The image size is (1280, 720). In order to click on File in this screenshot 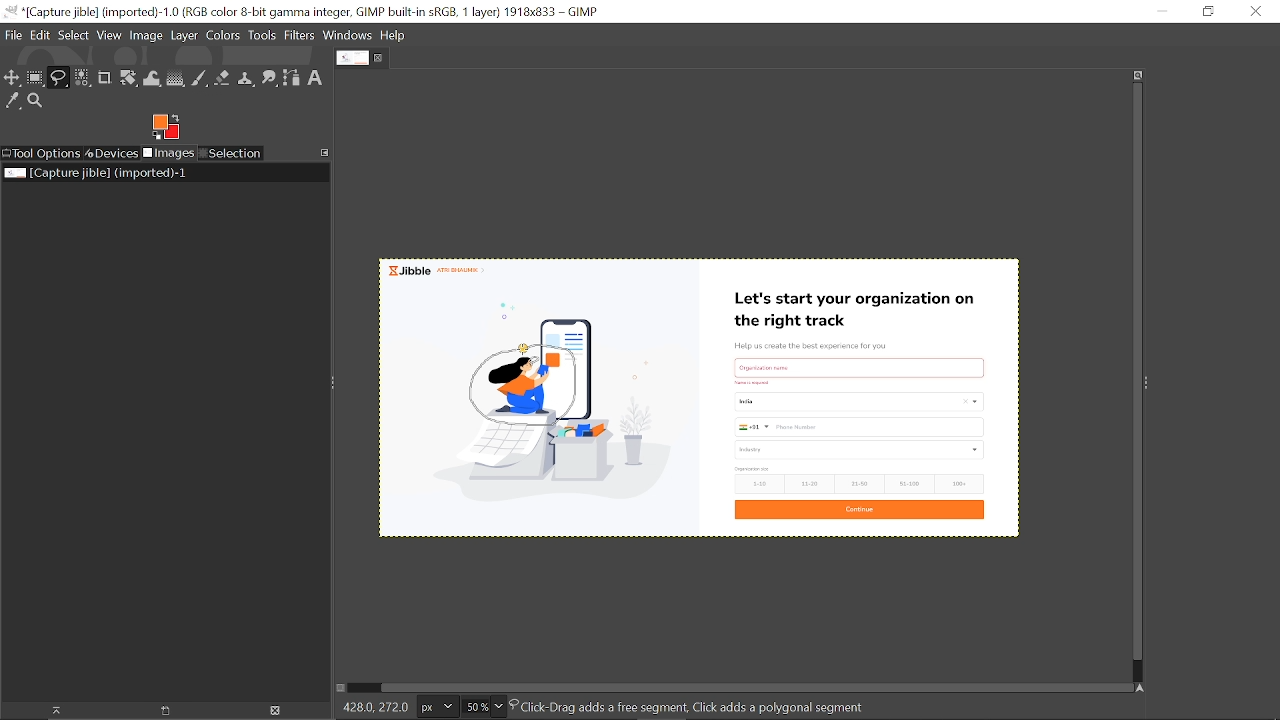, I will do `click(13, 35)`.